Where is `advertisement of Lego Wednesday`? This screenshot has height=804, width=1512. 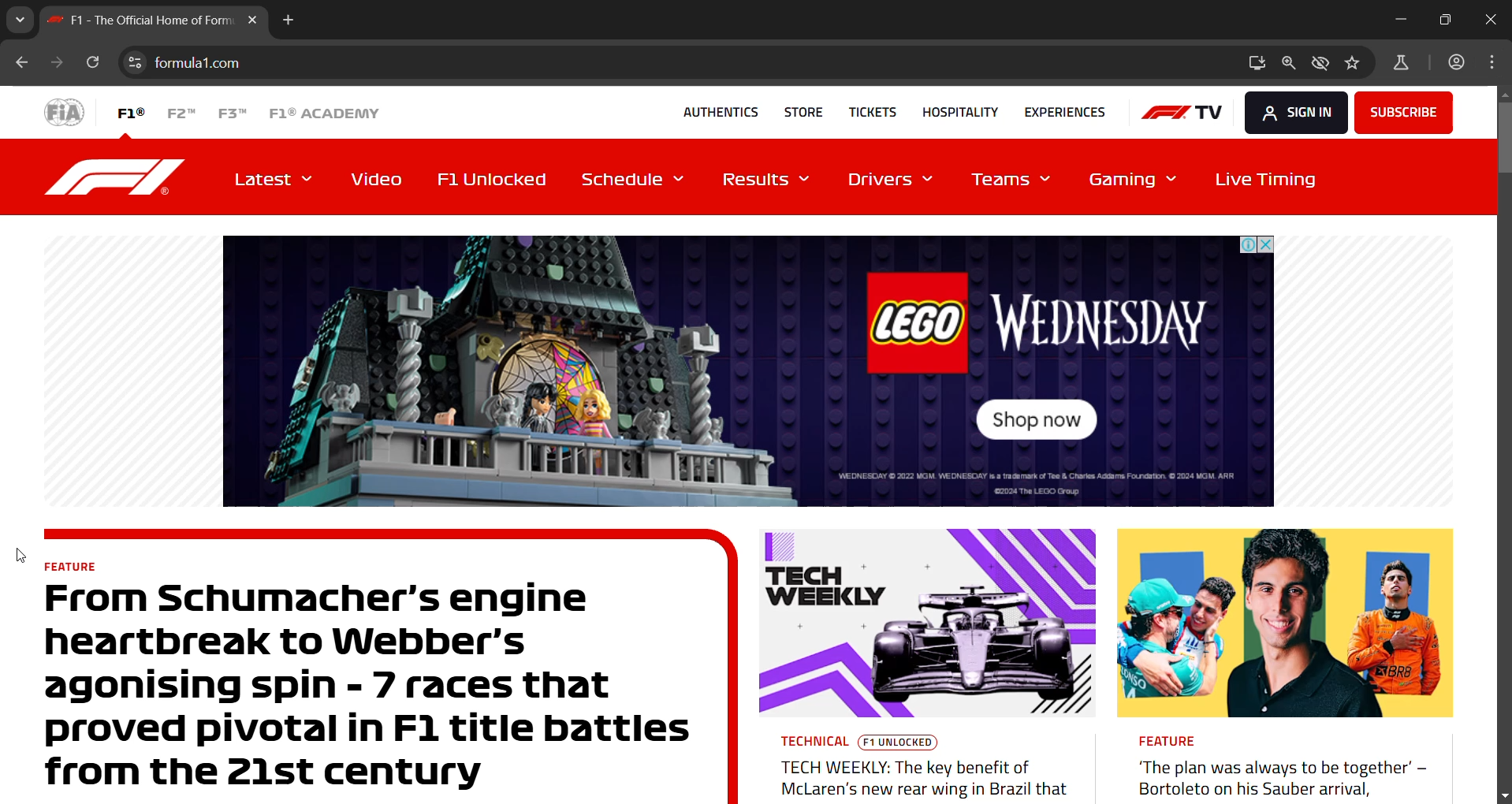 advertisement of Lego Wednesday is located at coordinates (747, 369).